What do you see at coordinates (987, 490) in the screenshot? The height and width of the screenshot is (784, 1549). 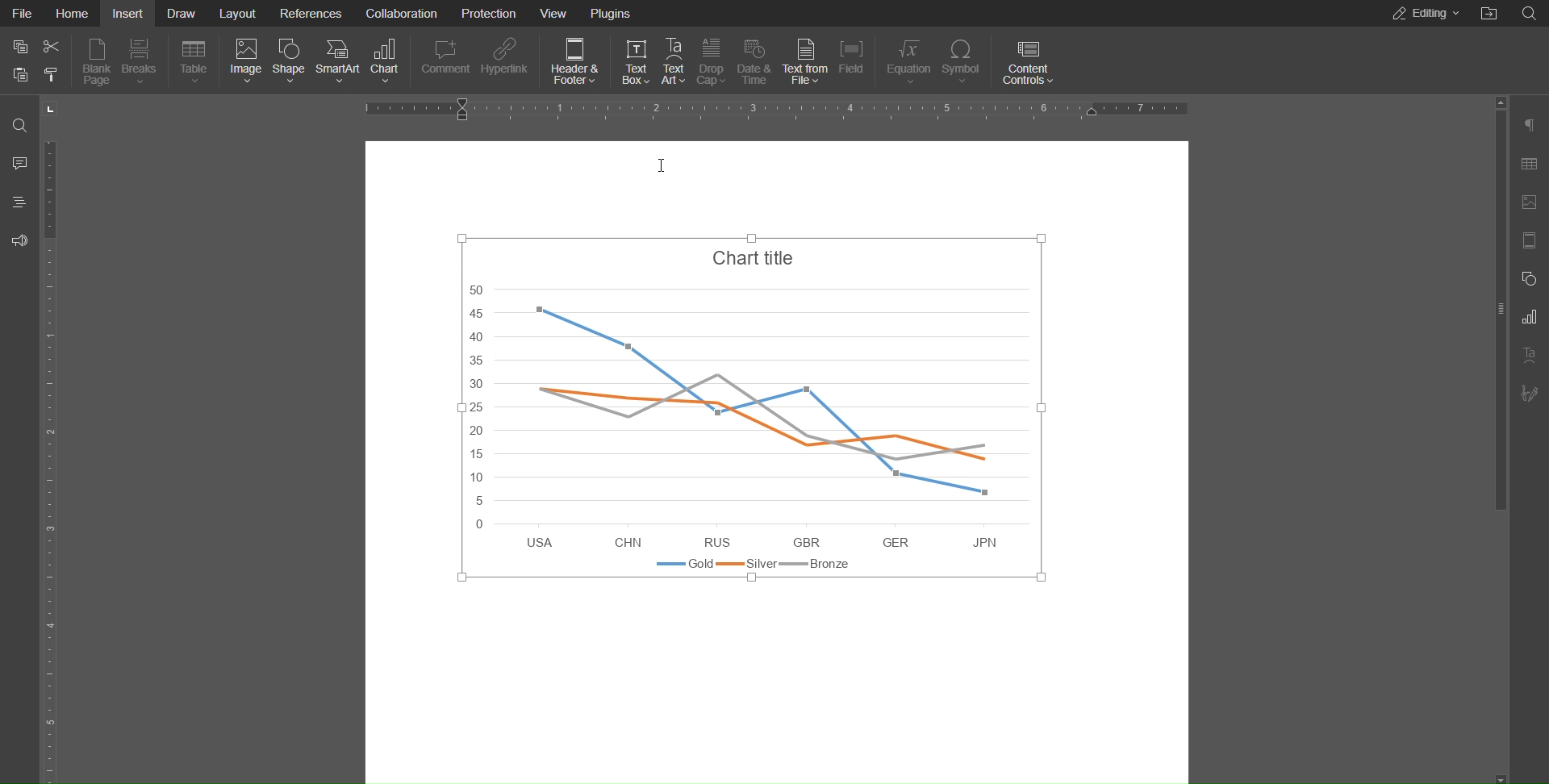 I see `Highlighted Point` at bounding box center [987, 490].